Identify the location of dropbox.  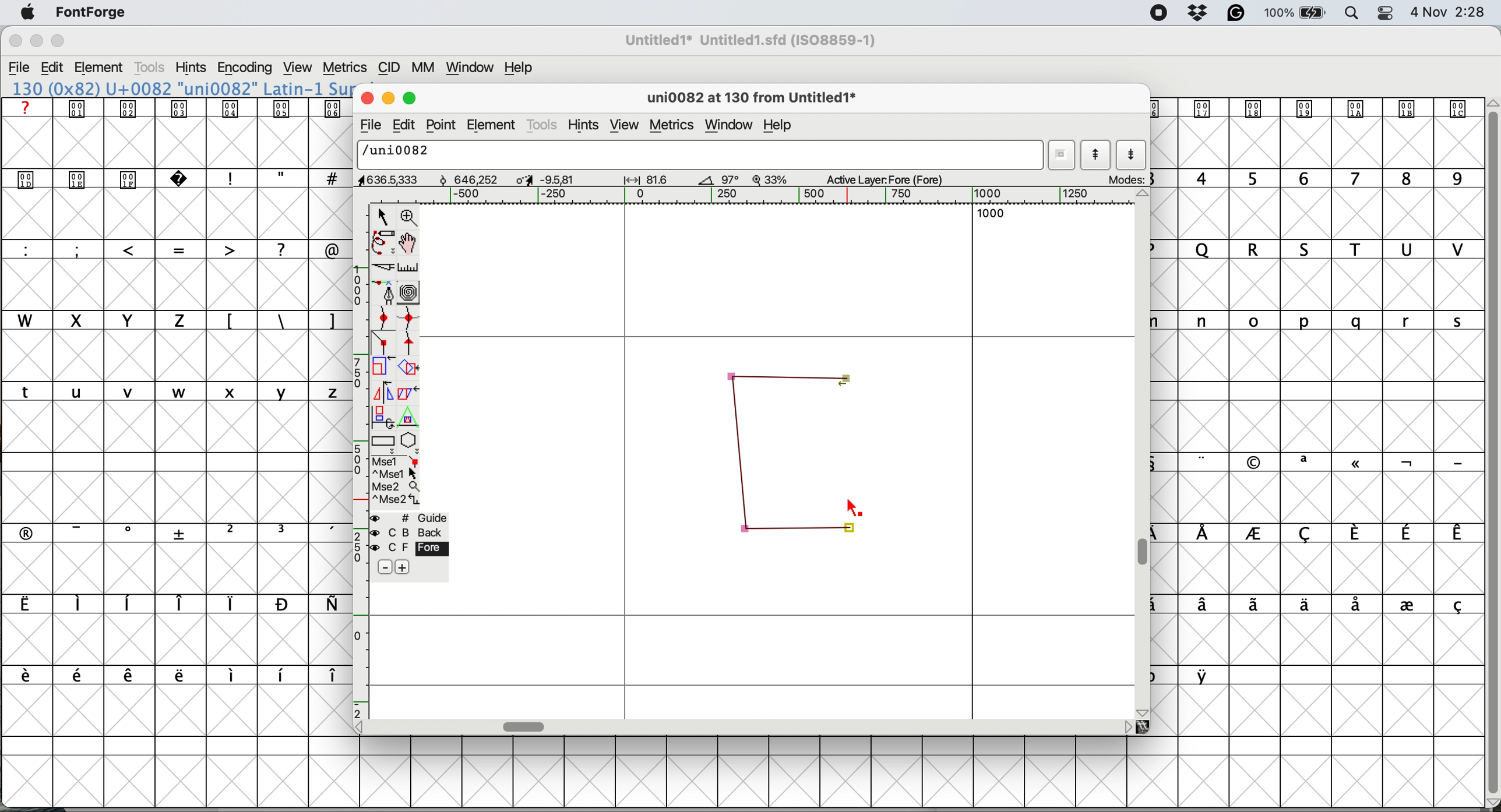
(1200, 12).